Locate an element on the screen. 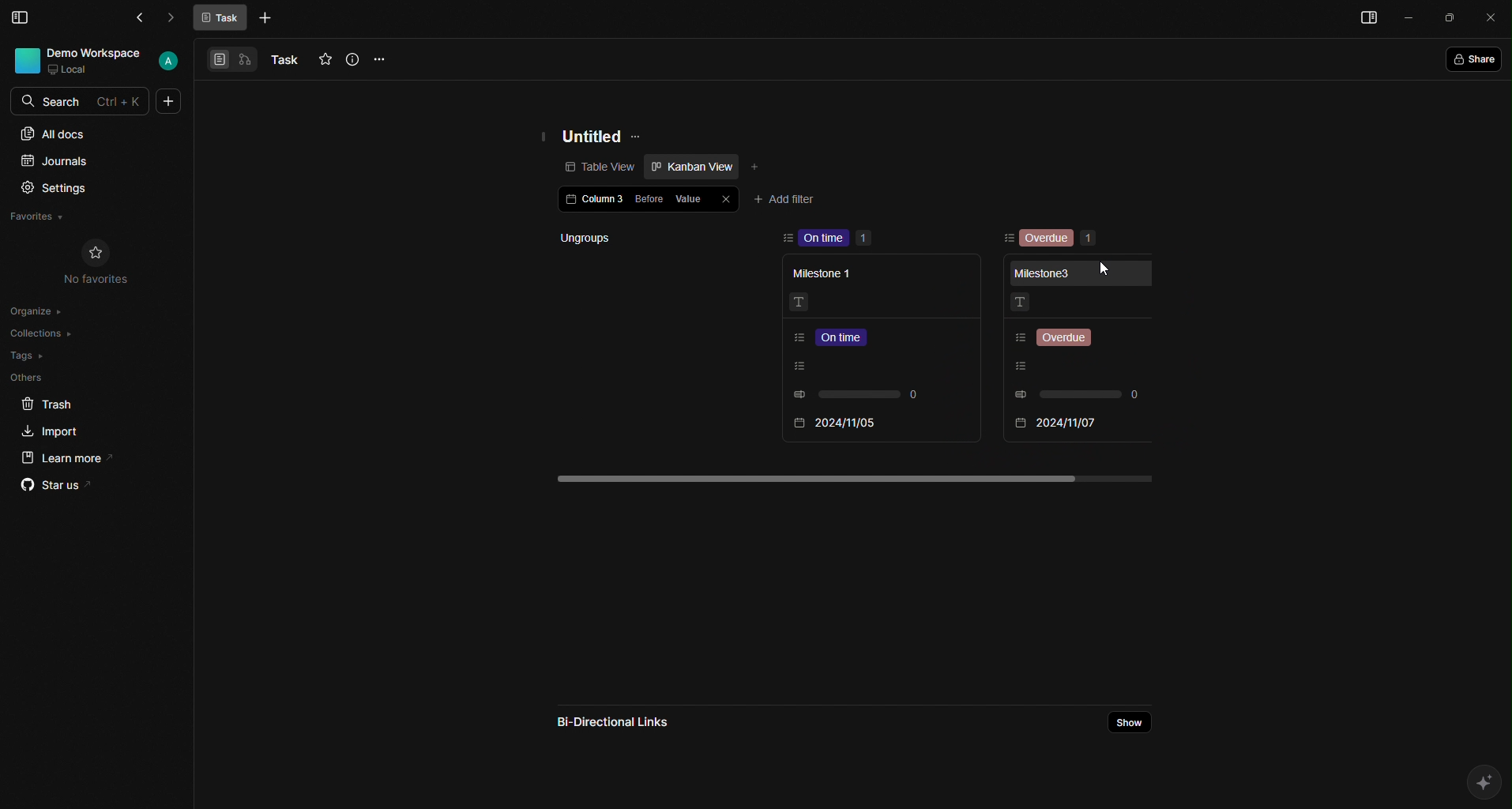  Others is located at coordinates (27, 379).